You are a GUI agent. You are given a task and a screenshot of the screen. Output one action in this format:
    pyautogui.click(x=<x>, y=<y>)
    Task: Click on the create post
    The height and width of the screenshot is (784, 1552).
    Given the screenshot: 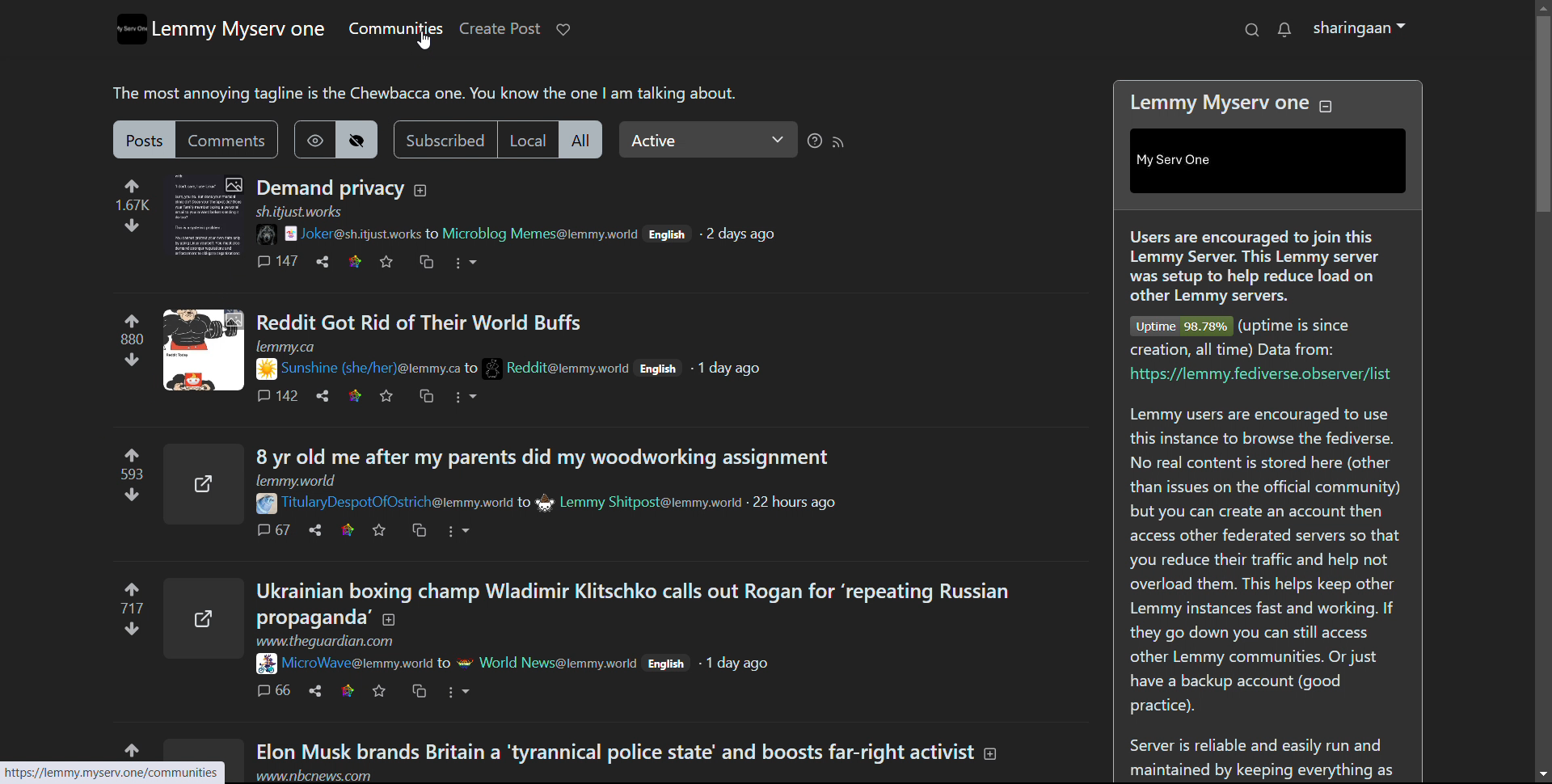 What is the action you would take?
    pyautogui.click(x=499, y=29)
    